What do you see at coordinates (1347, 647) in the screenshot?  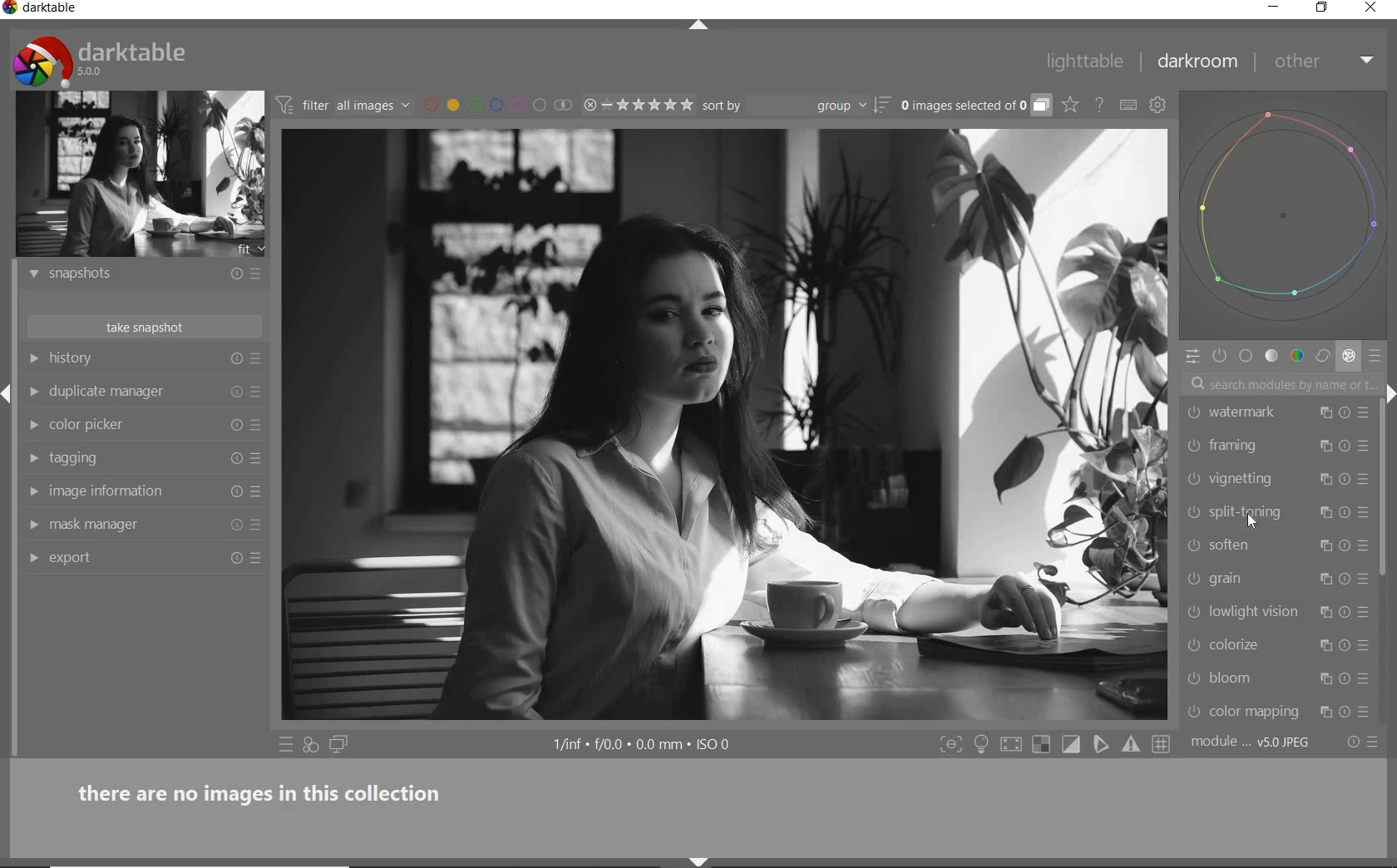 I see `reset` at bounding box center [1347, 647].